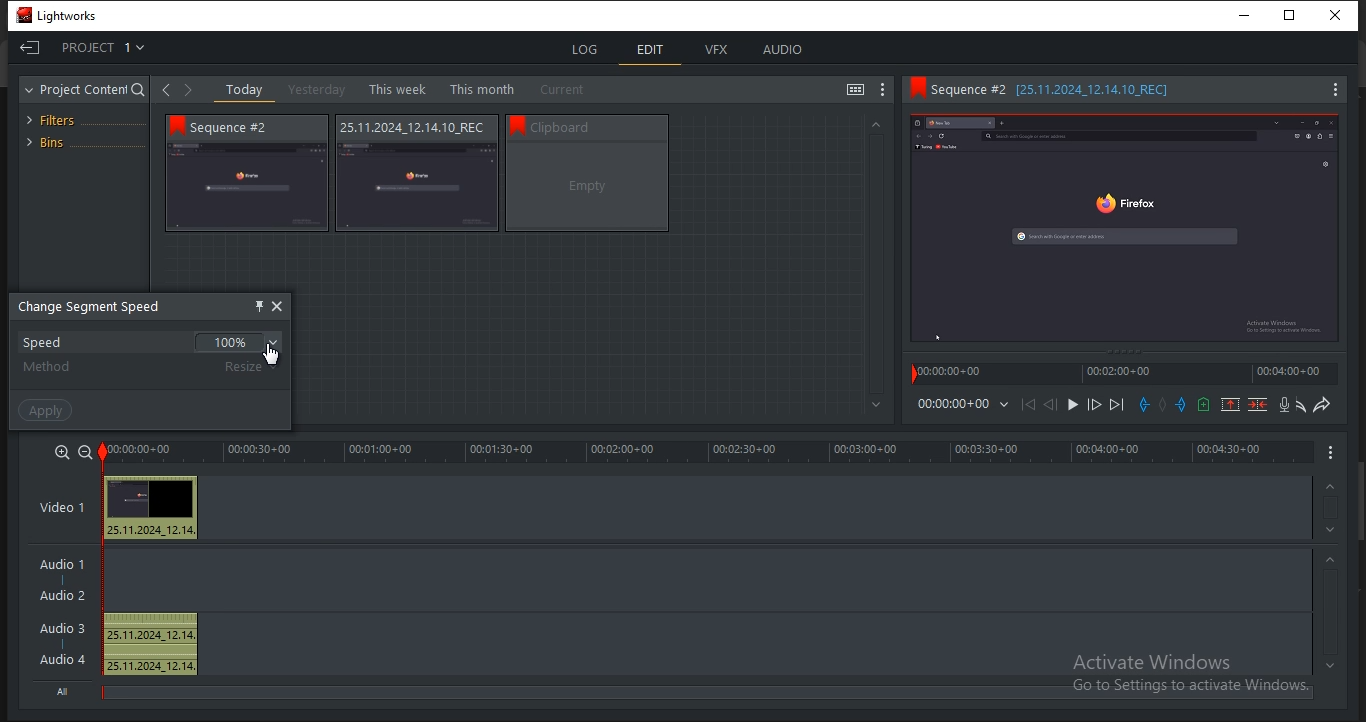 The width and height of the screenshot is (1366, 722). Describe the element at coordinates (149, 344) in the screenshot. I see `speed` at that location.